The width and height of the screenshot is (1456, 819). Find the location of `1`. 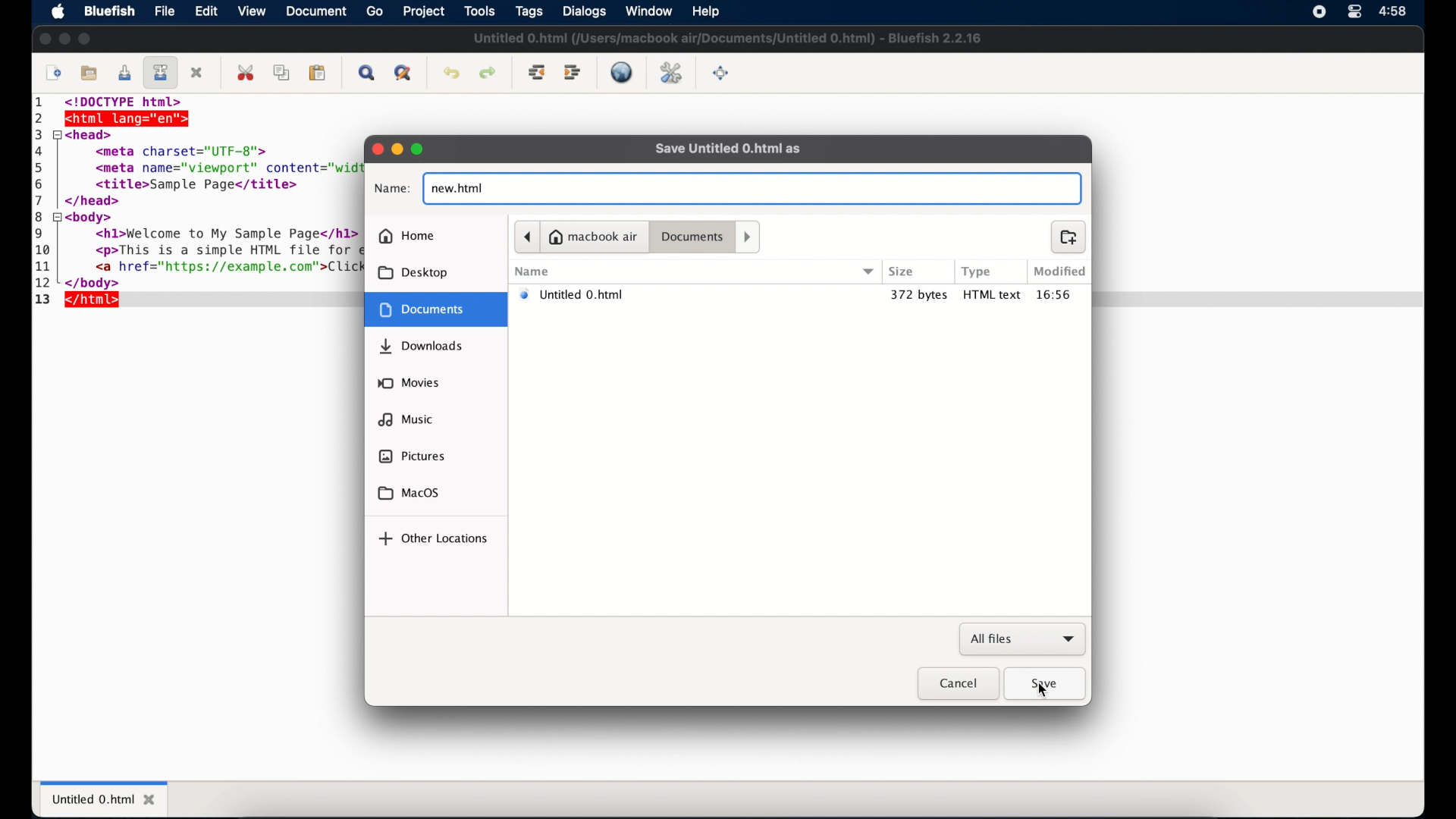

1 is located at coordinates (42, 104).